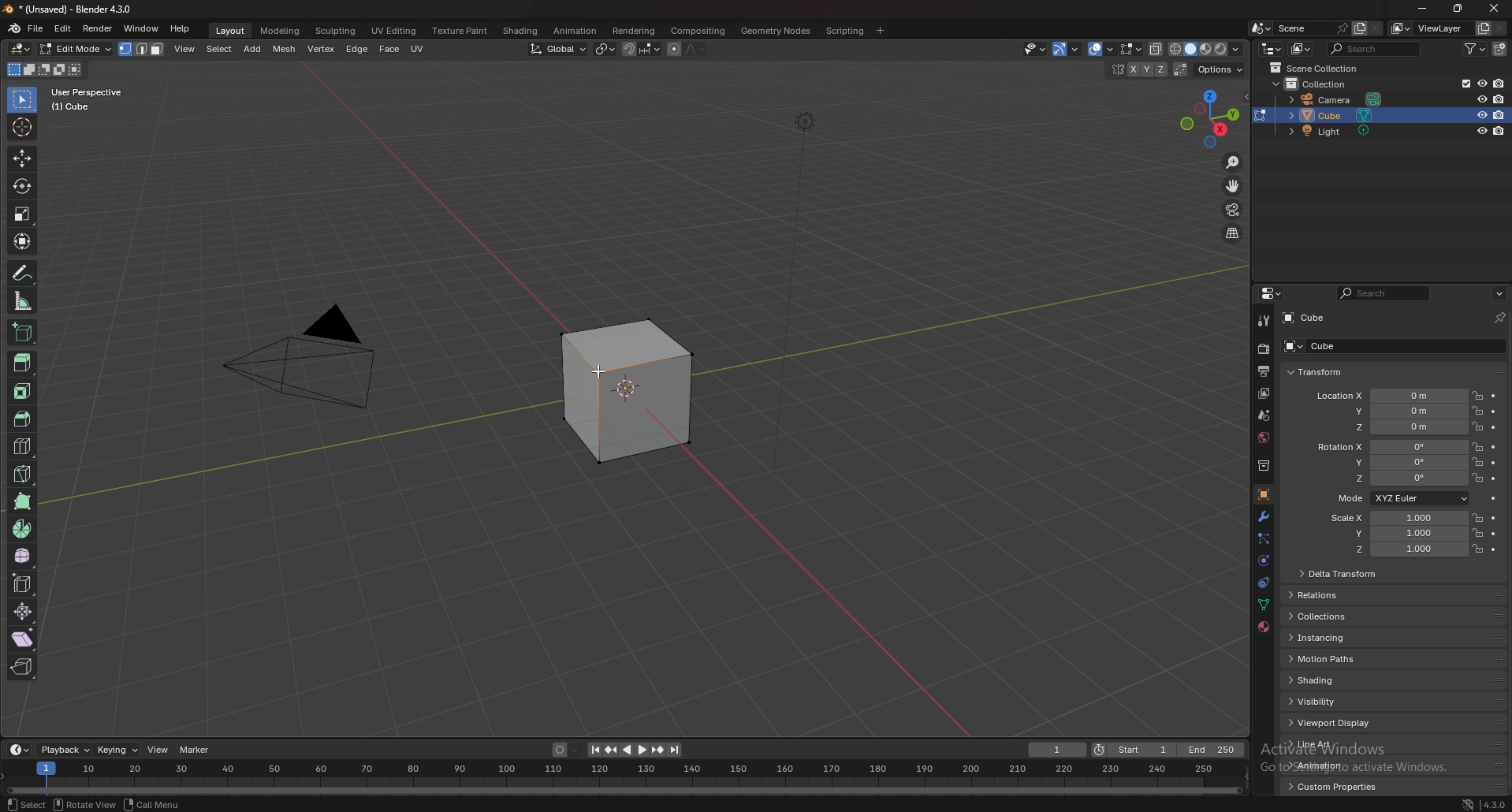 Image resolution: width=1512 pixels, height=812 pixels. What do you see at coordinates (640, 49) in the screenshot?
I see `snapping` at bounding box center [640, 49].